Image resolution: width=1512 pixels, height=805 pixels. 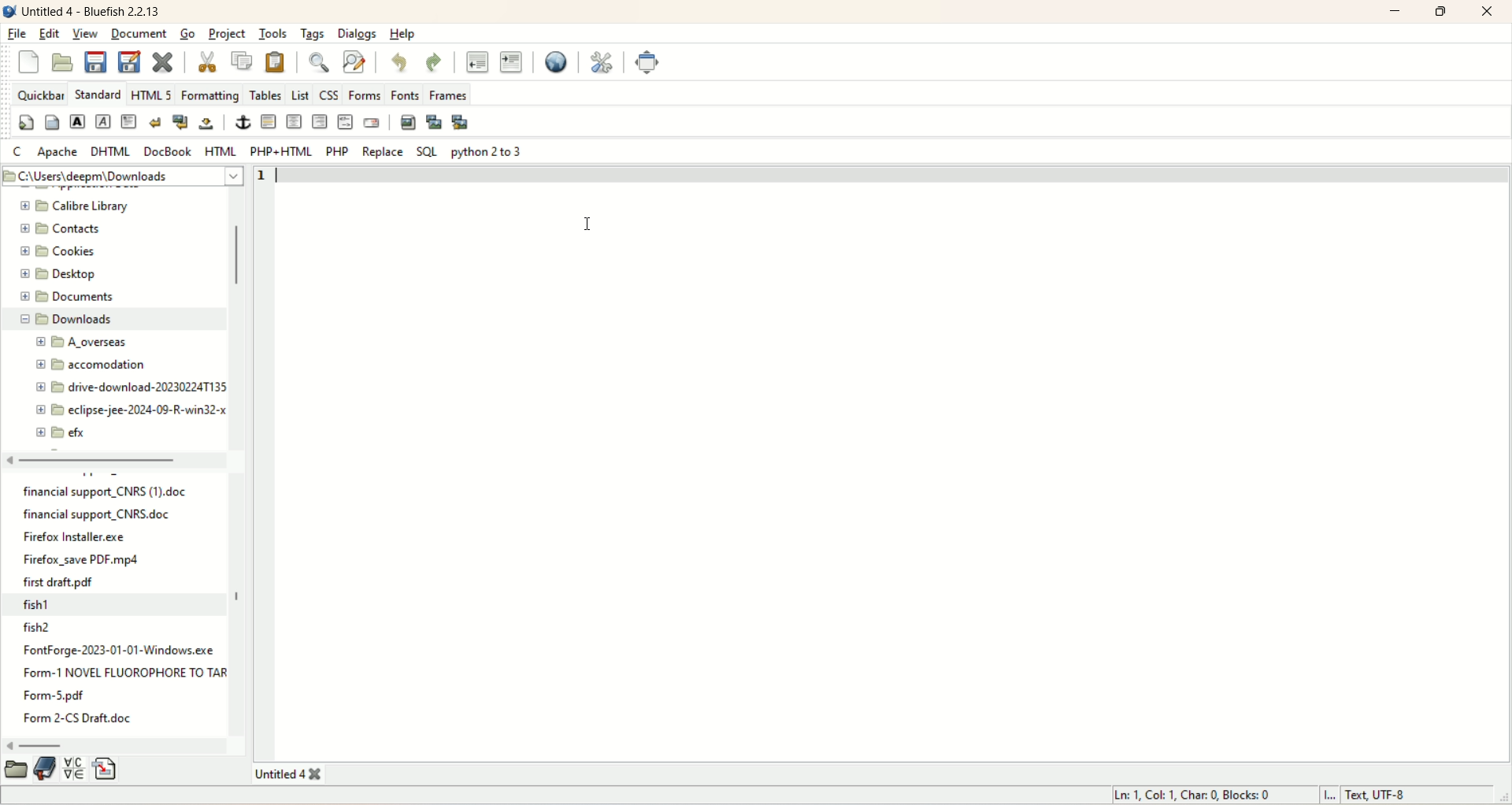 What do you see at coordinates (648, 60) in the screenshot?
I see `full screen` at bounding box center [648, 60].